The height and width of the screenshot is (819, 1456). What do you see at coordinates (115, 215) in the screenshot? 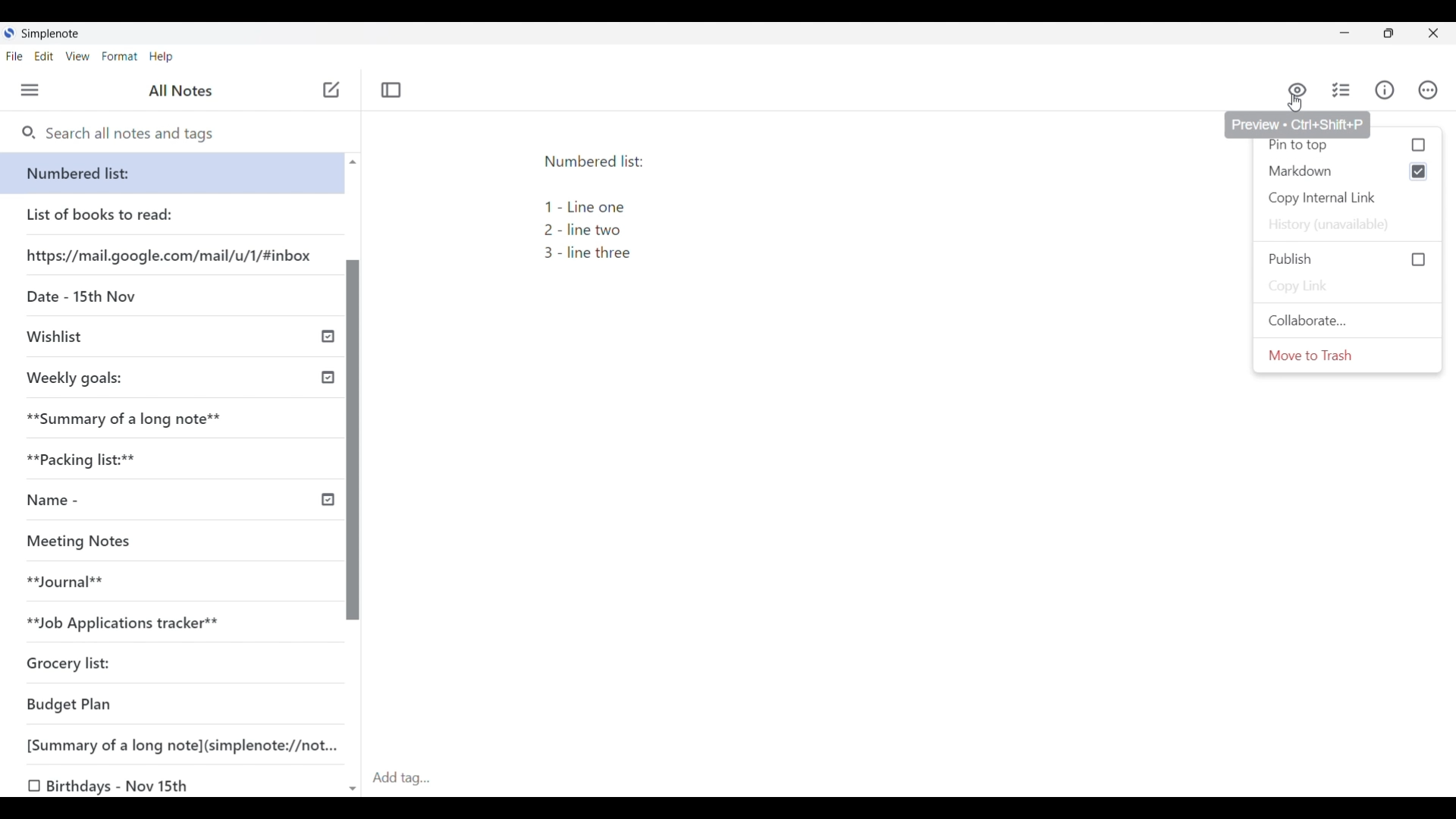
I see `List of books to read:` at bounding box center [115, 215].